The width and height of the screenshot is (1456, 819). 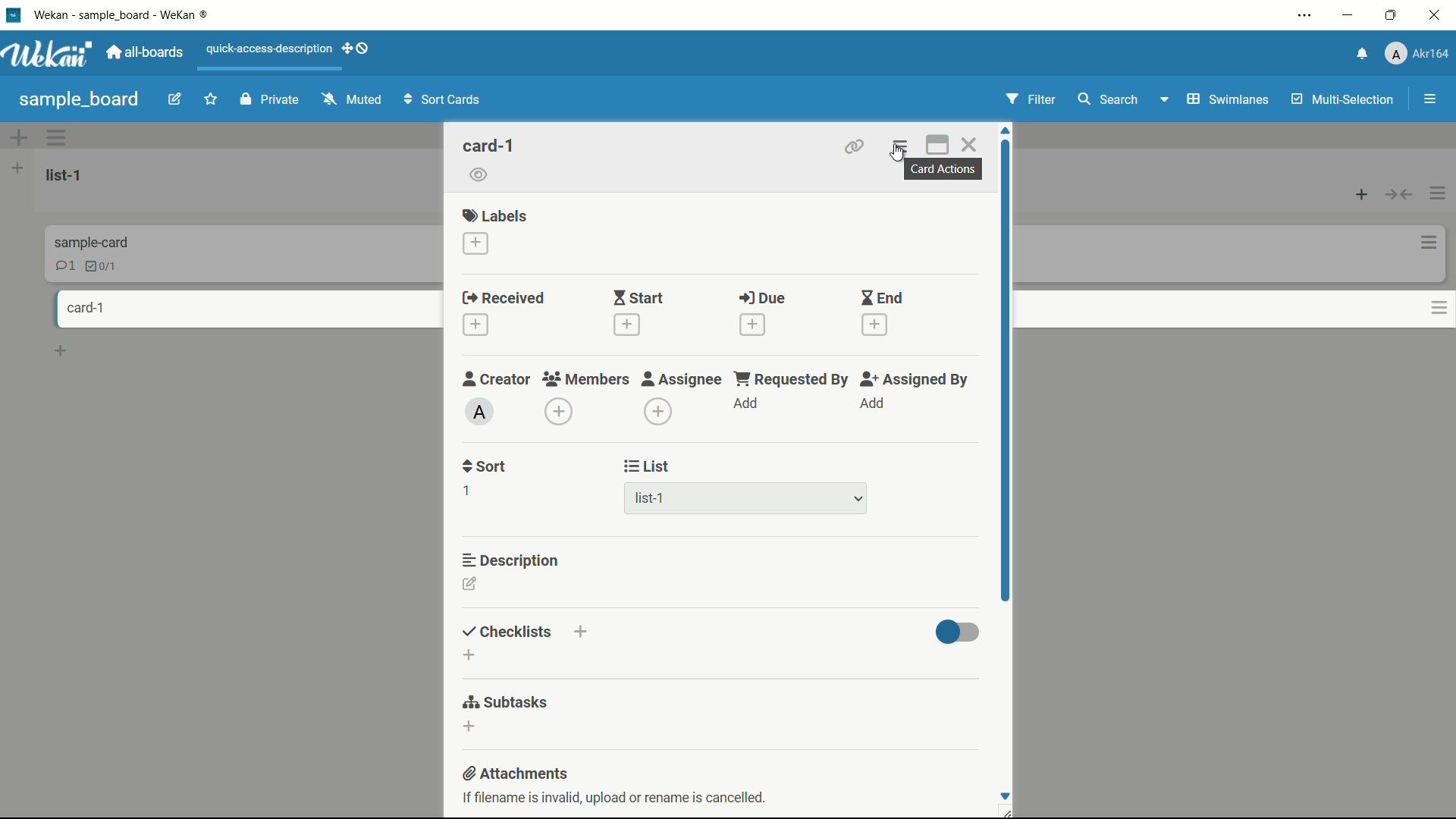 What do you see at coordinates (475, 243) in the screenshot?
I see `add labels` at bounding box center [475, 243].